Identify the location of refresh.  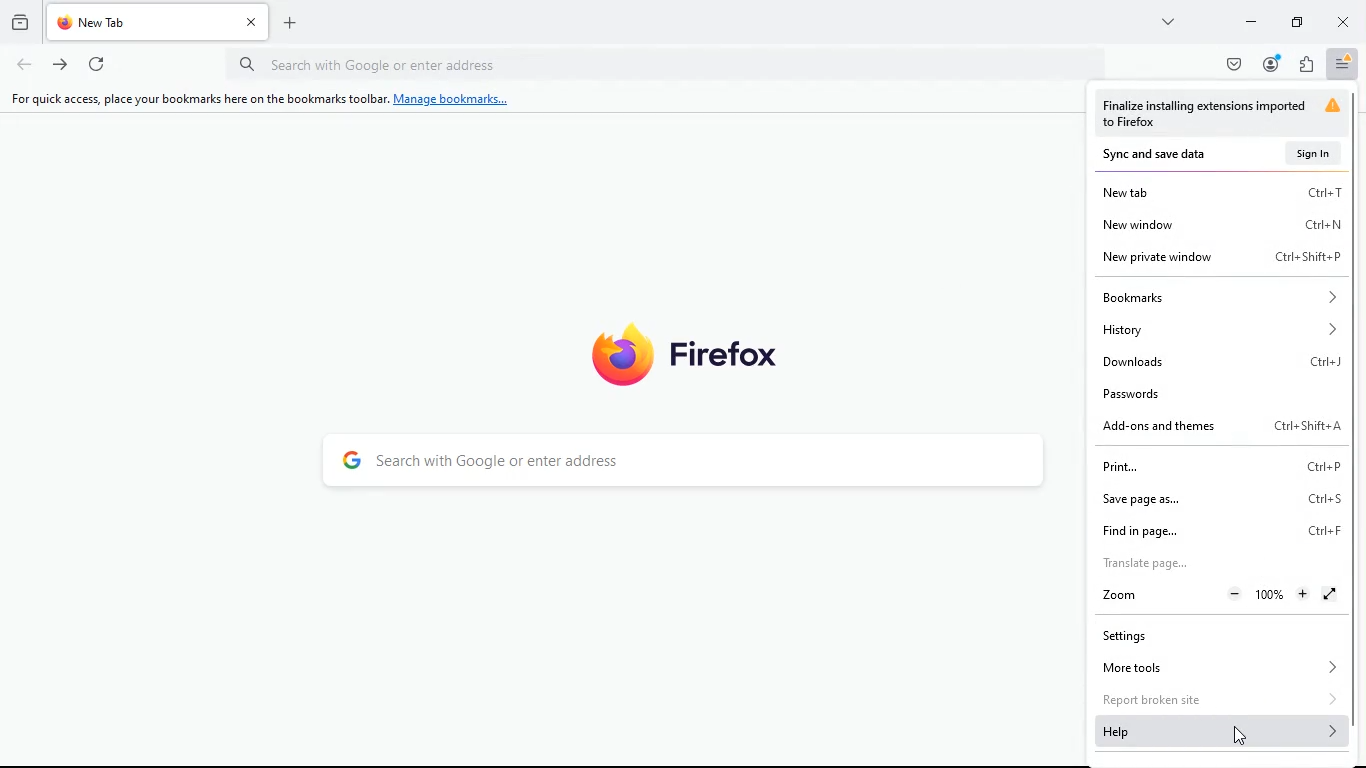
(99, 65).